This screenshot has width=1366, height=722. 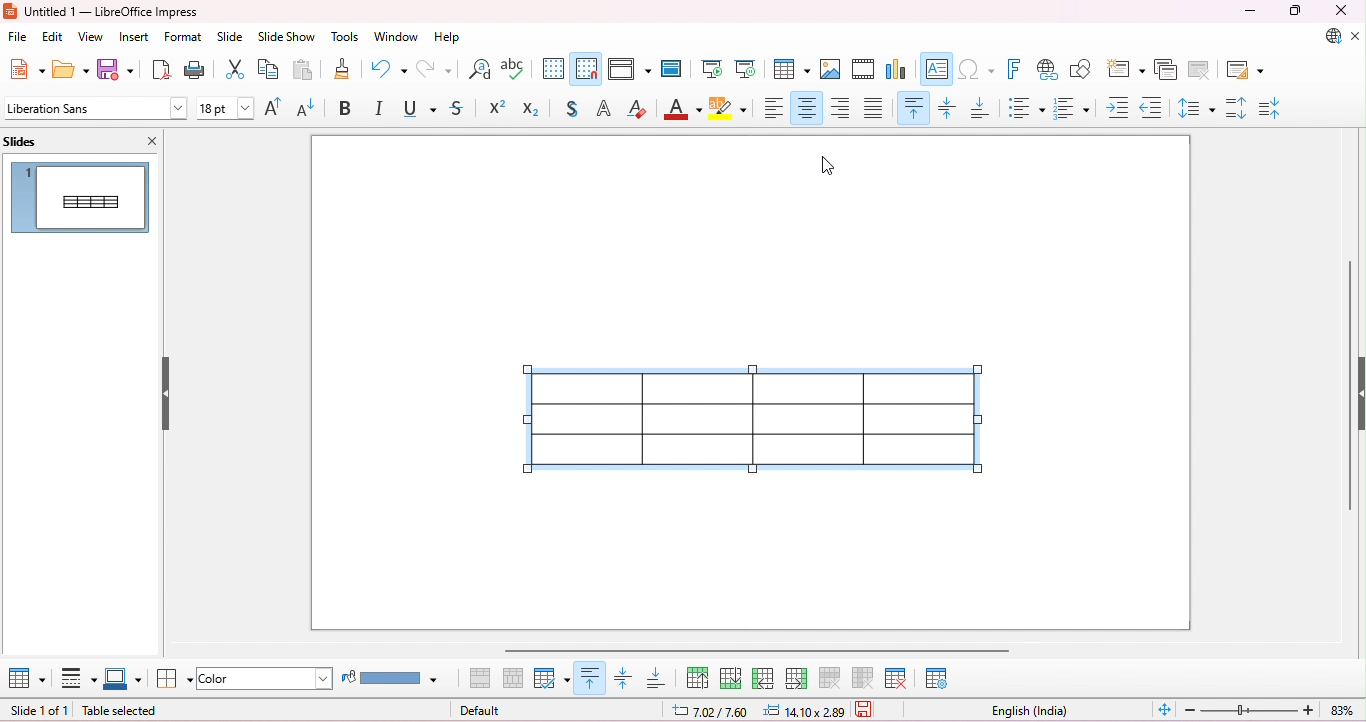 What do you see at coordinates (184, 37) in the screenshot?
I see `format` at bounding box center [184, 37].